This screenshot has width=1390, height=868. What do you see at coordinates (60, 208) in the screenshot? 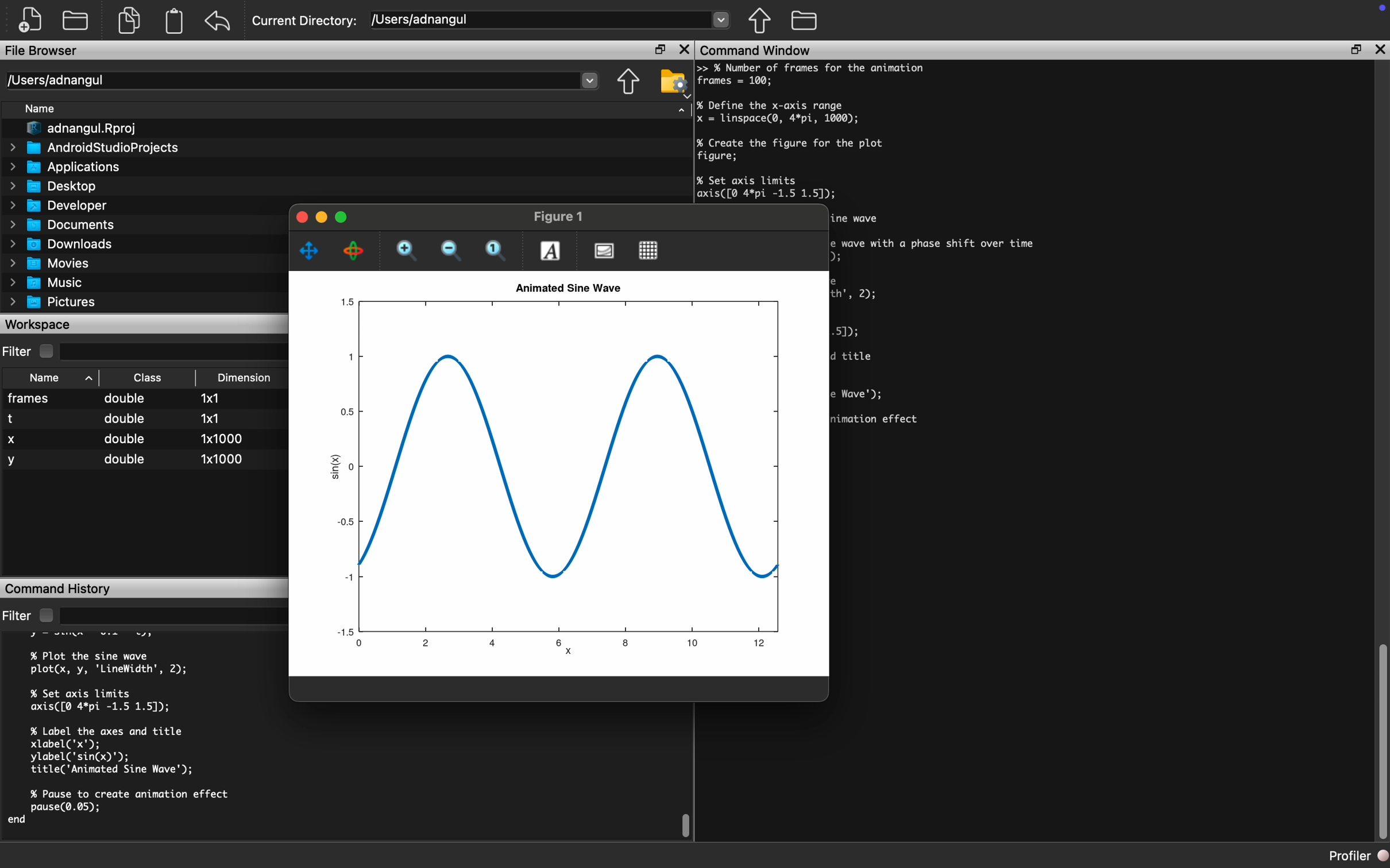
I see `Developer` at bounding box center [60, 208].